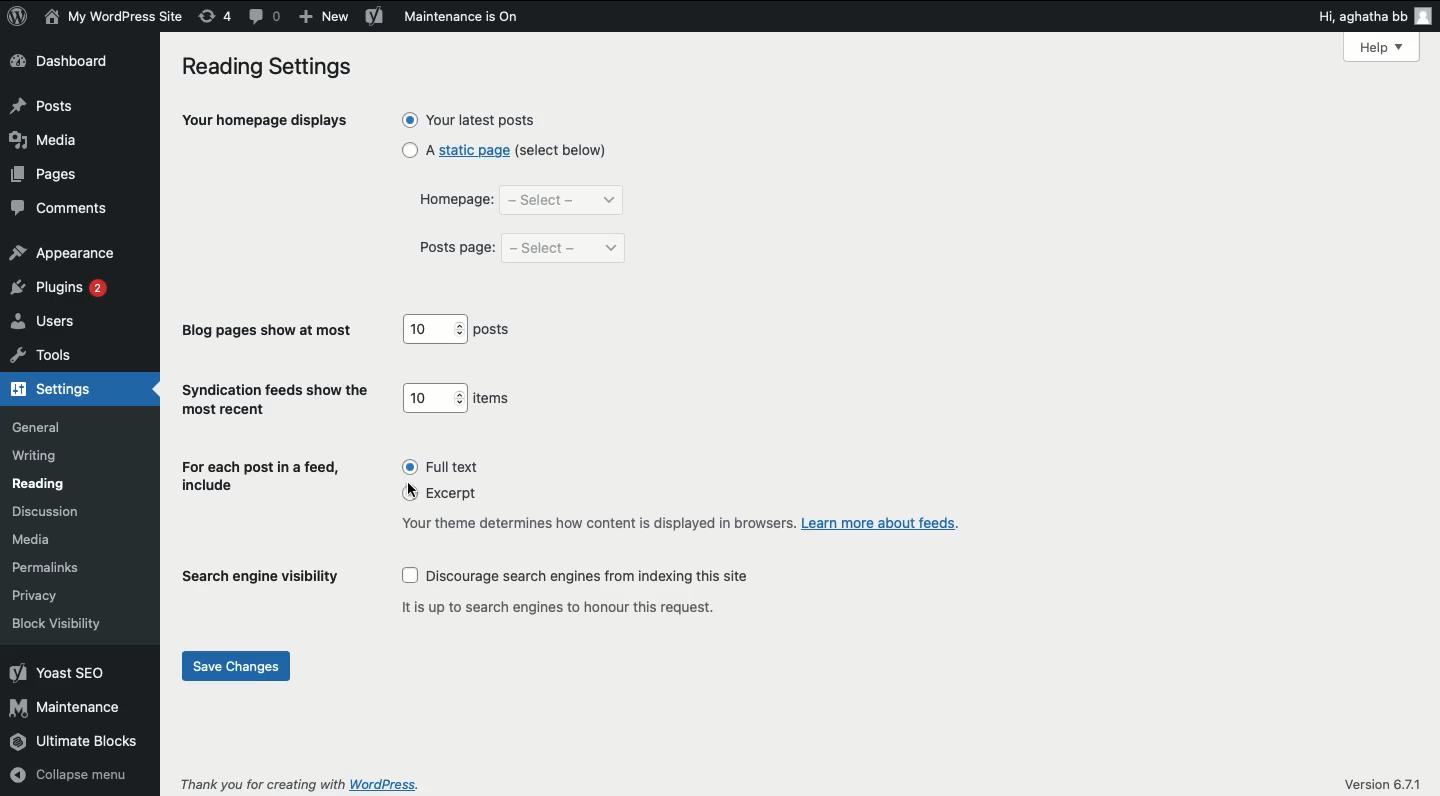  Describe the element at coordinates (278, 400) in the screenshot. I see `syndication feeds show the most recent` at that location.